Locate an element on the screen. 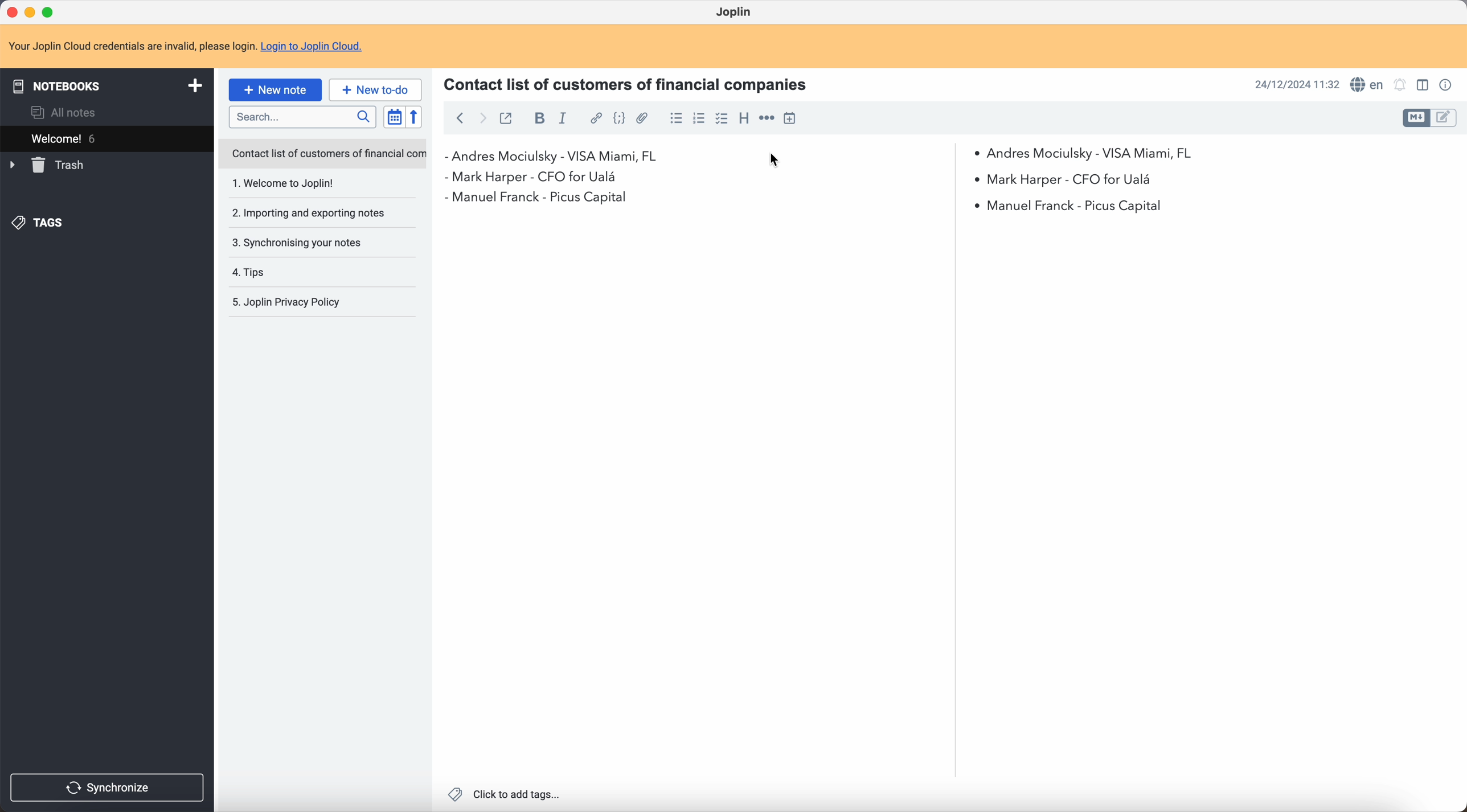 This screenshot has width=1467, height=812. welcome is located at coordinates (96, 138).